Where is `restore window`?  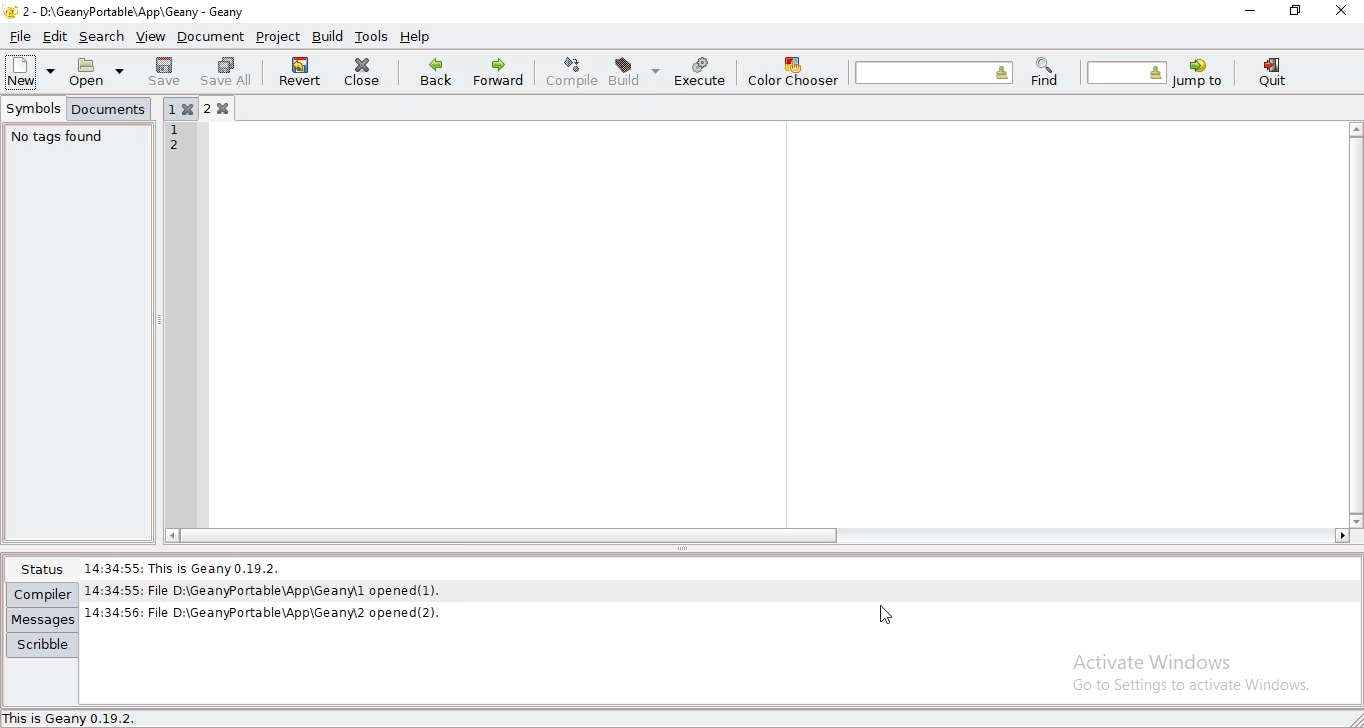 restore window is located at coordinates (1296, 10).